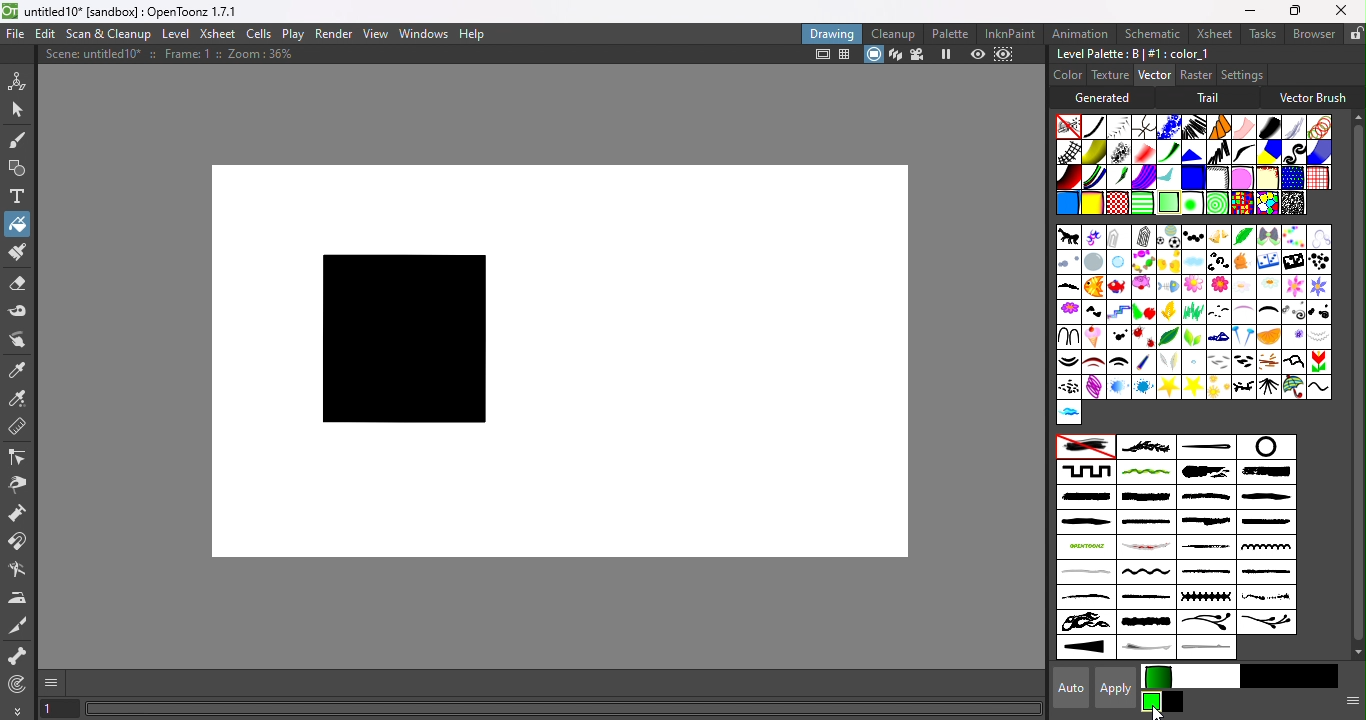 The height and width of the screenshot is (720, 1366). I want to click on big_, so click(1243, 236).